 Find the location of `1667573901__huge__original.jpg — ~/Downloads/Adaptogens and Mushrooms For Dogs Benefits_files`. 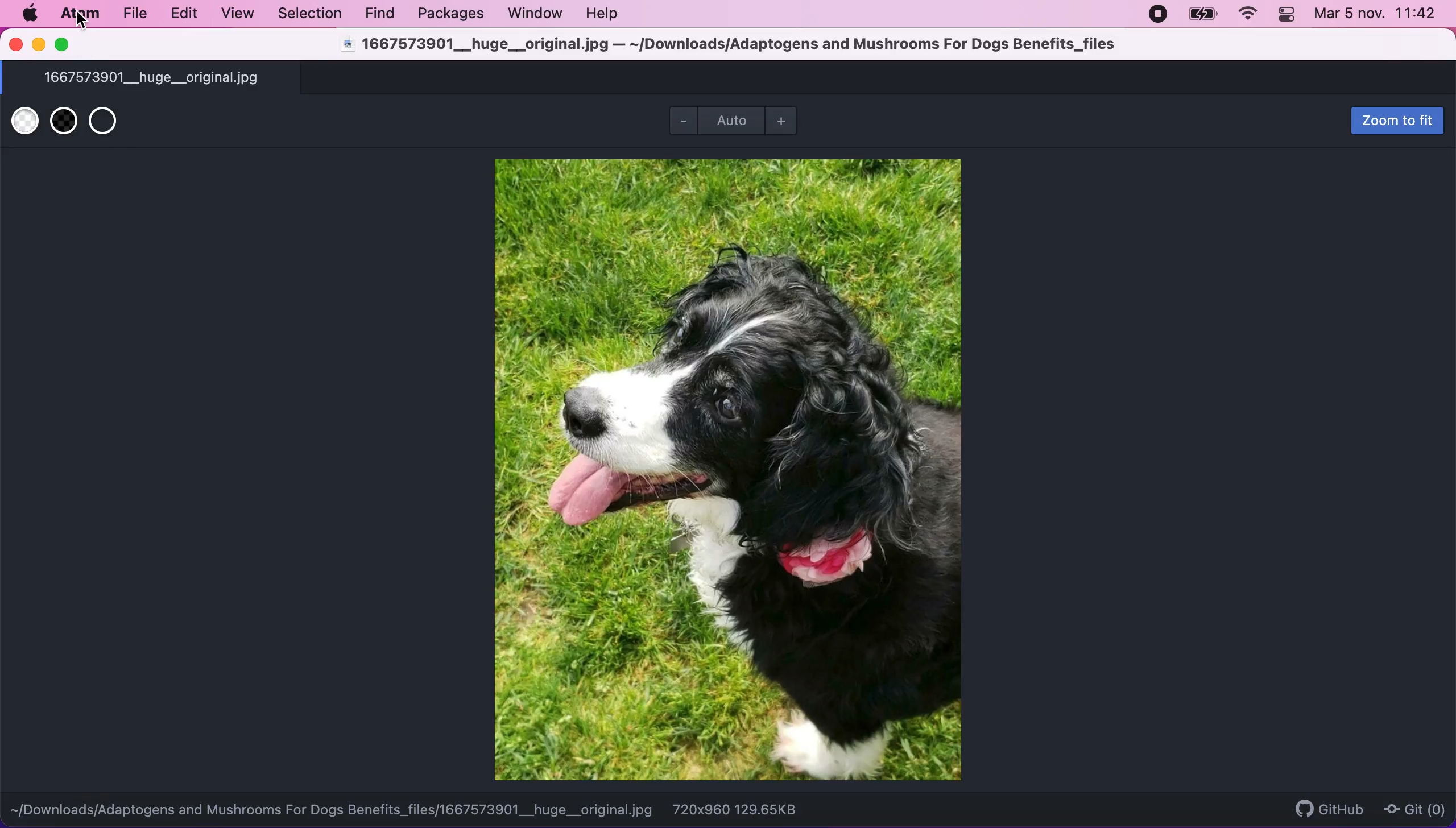

1667573901__huge__original.jpg — ~/Downloads/Adaptogens and Mushrooms For Dogs Benefits_files is located at coordinates (726, 45).